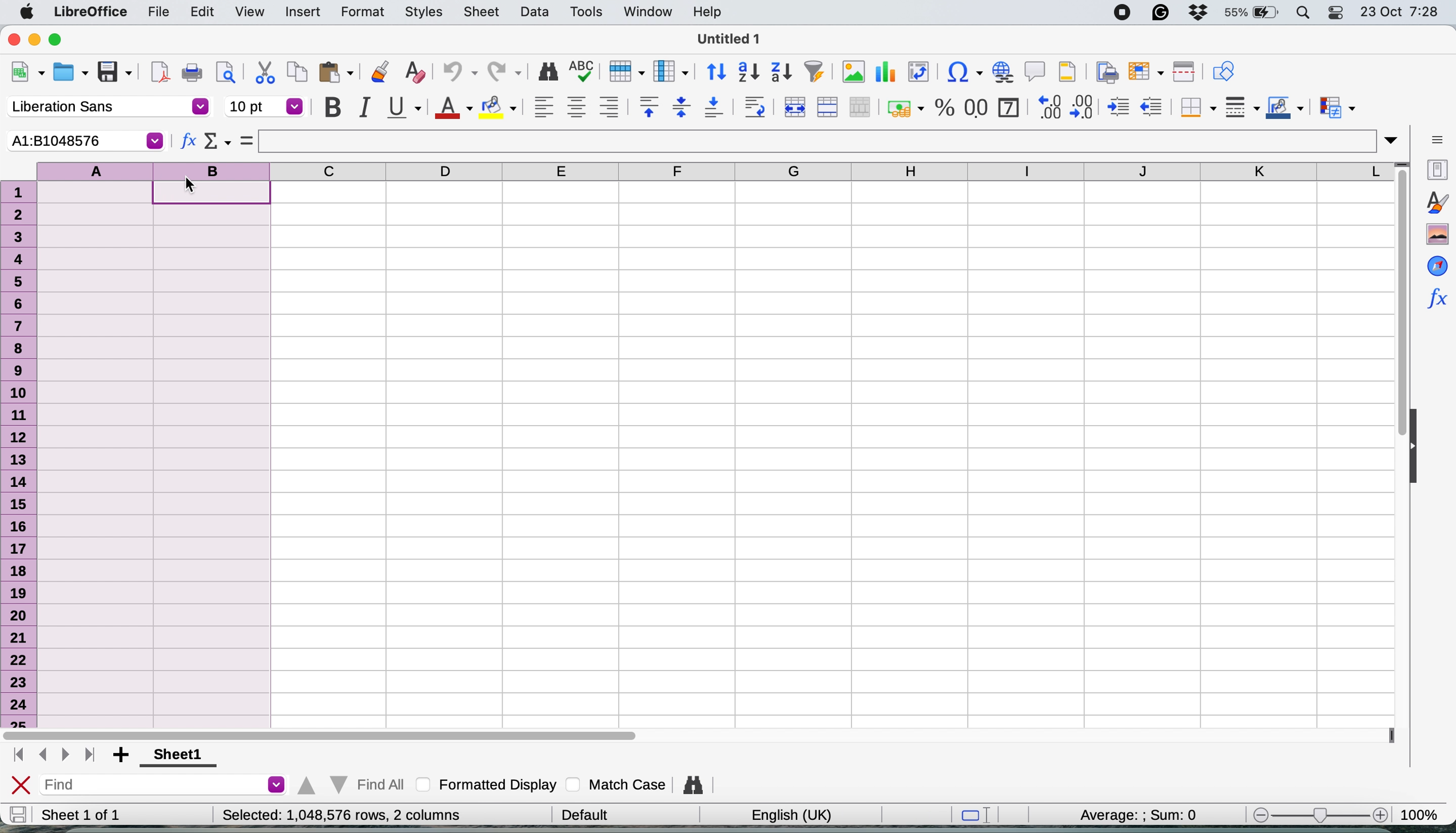 Image resolution: width=1456 pixels, height=833 pixels. Describe the element at coordinates (420, 11) in the screenshot. I see `styles` at that location.